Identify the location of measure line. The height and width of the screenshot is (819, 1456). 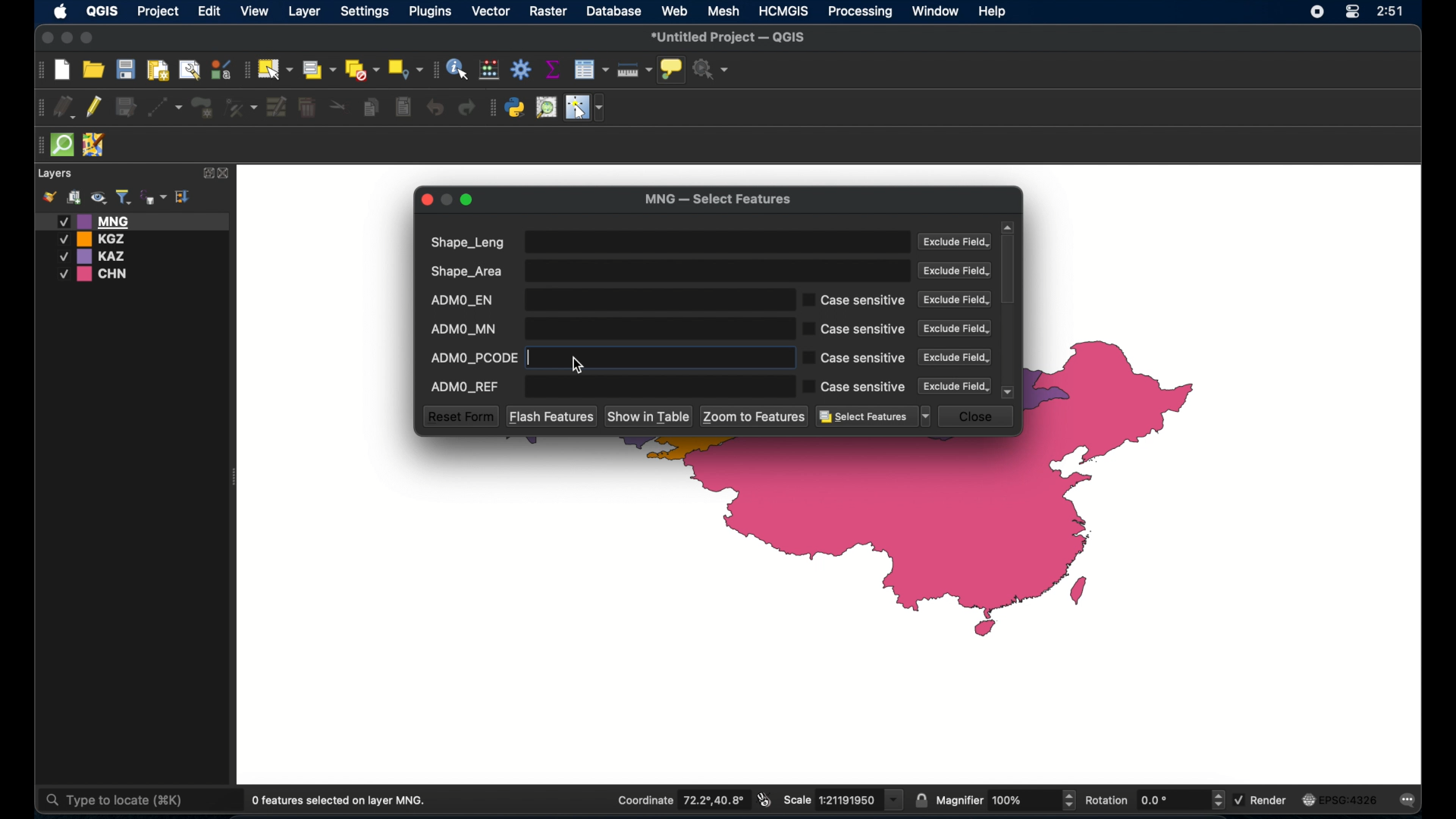
(635, 70).